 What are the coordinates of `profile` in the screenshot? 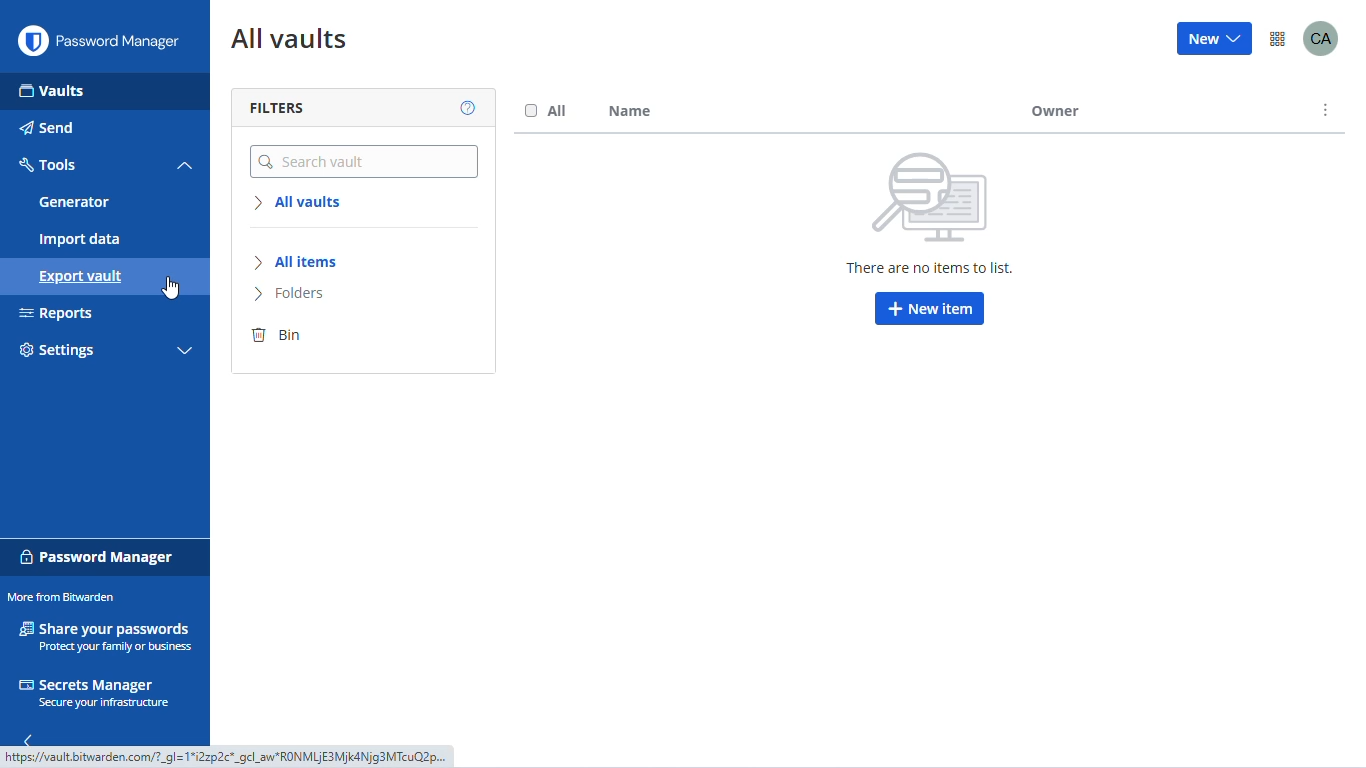 It's located at (1322, 38).